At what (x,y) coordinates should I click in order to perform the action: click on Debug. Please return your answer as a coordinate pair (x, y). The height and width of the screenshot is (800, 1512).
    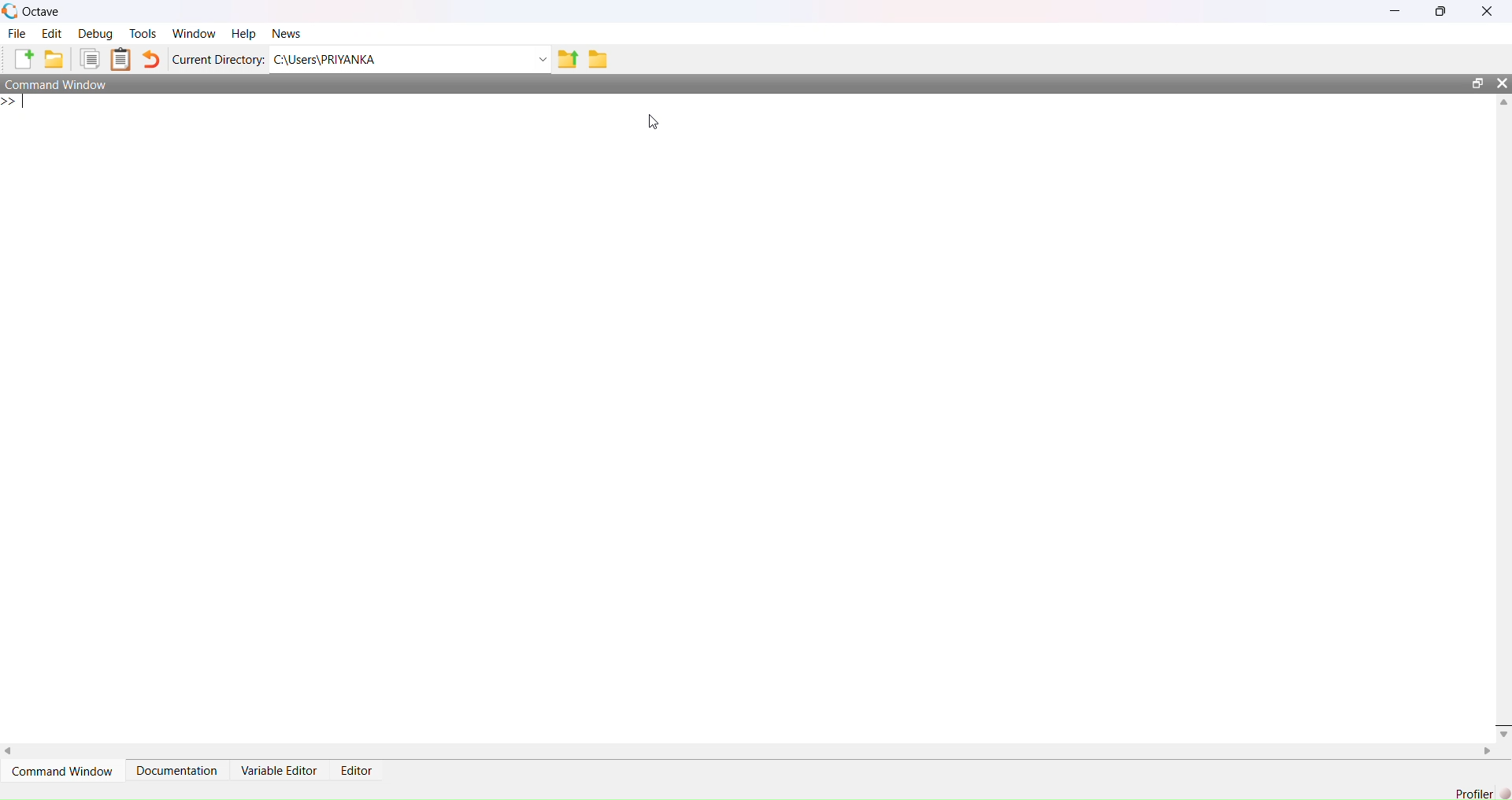
    Looking at the image, I should click on (98, 35).